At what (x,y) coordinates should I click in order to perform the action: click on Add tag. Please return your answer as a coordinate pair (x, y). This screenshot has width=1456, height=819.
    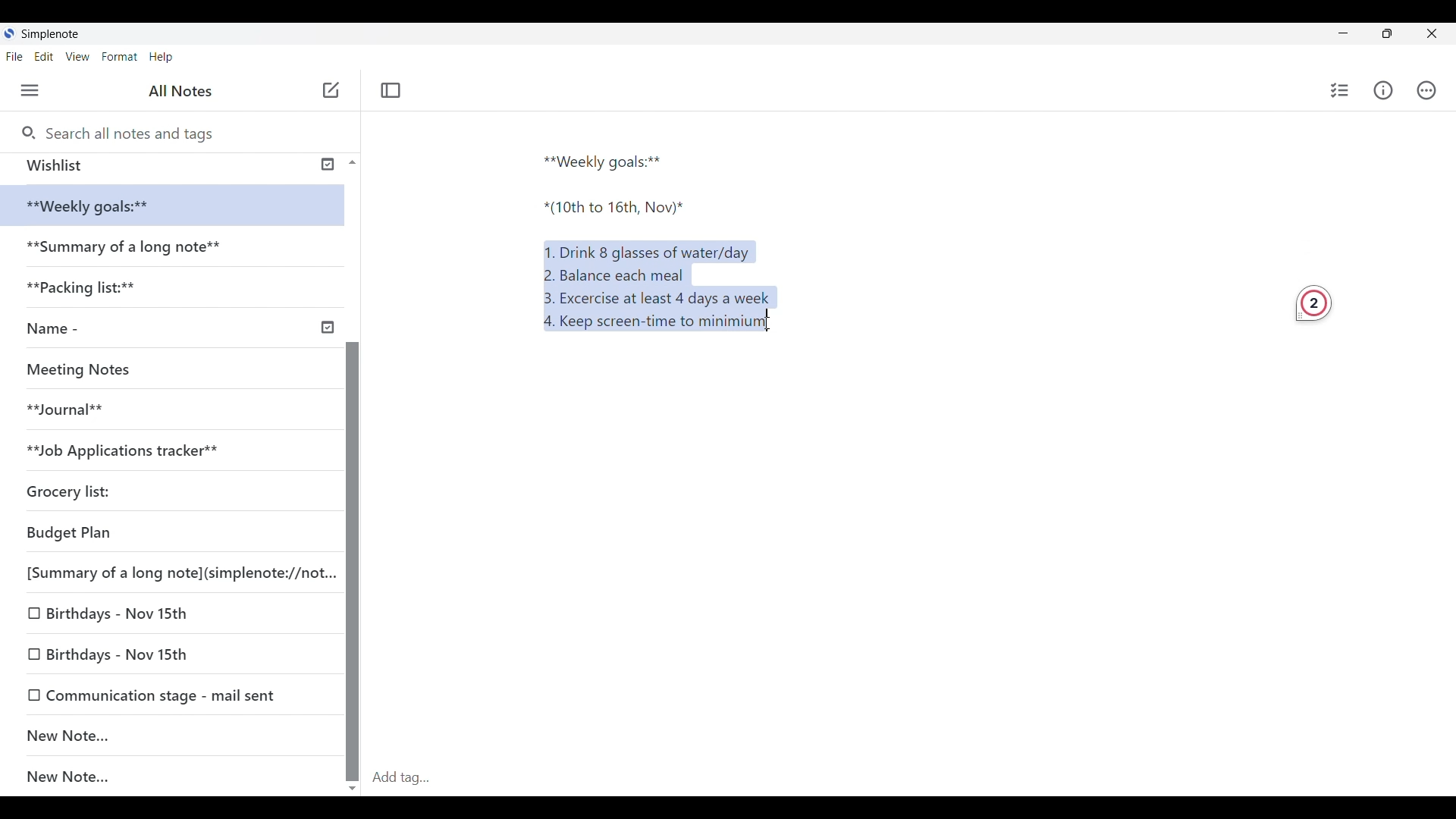
    Looking at the image, I should click on (910, 777).